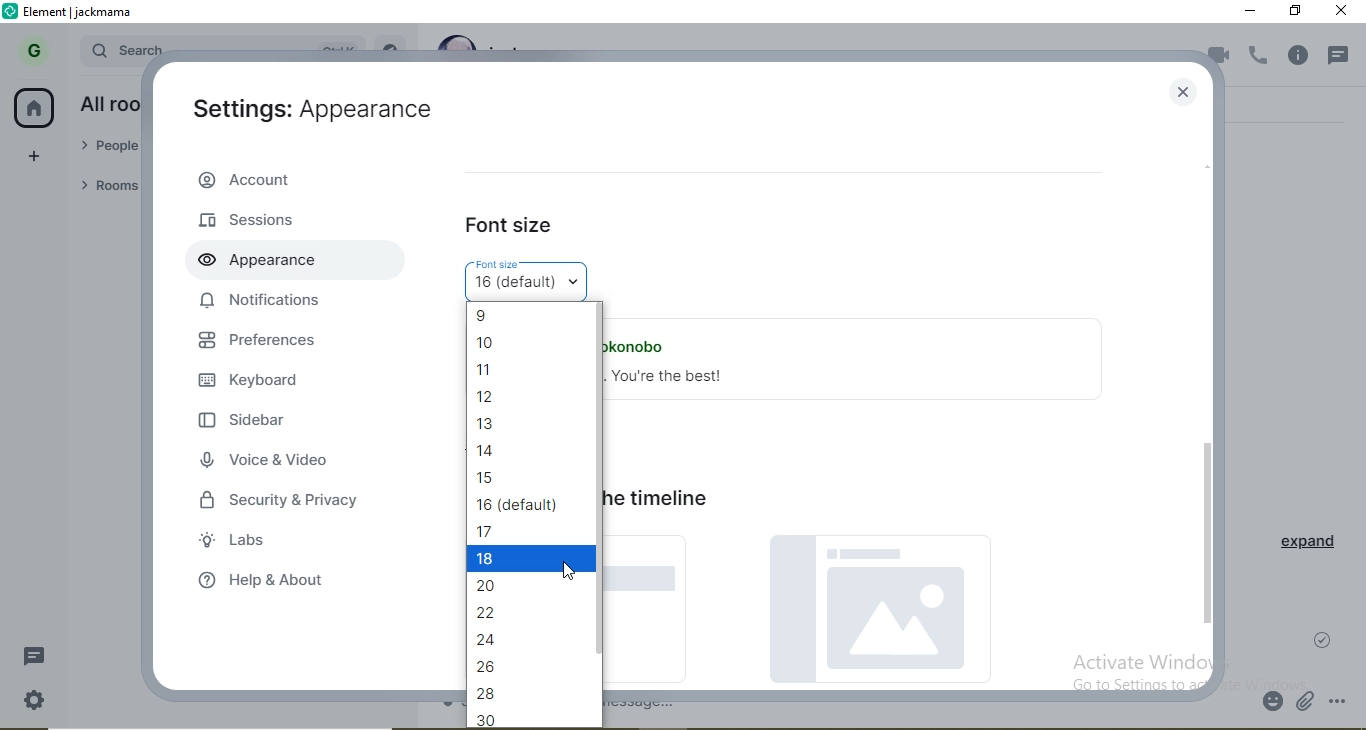 The height and width of the screenshot is (730, 1366). I want to click on cursor, so click(568, 573).